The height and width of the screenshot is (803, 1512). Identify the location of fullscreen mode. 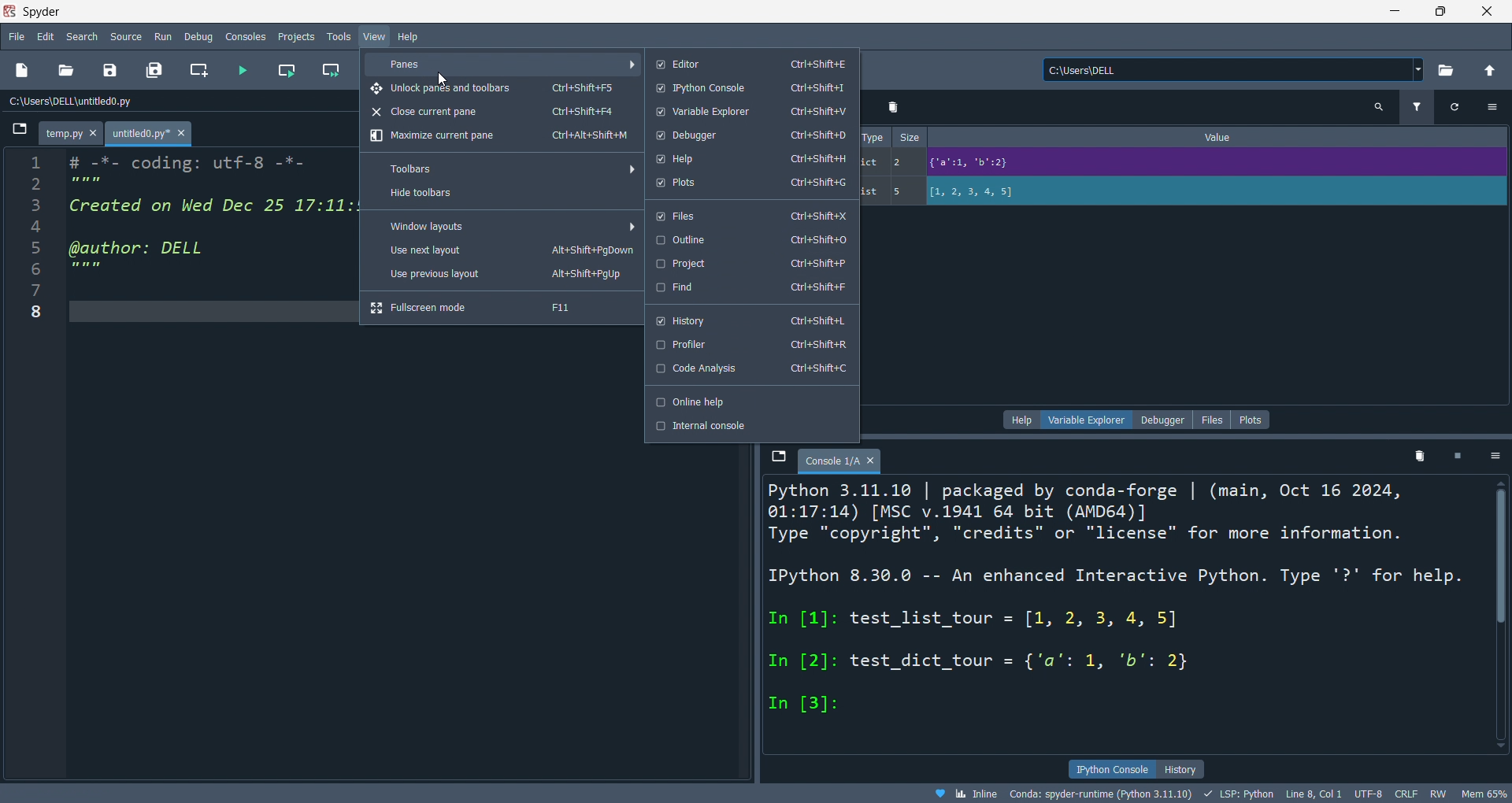
(500, 308).